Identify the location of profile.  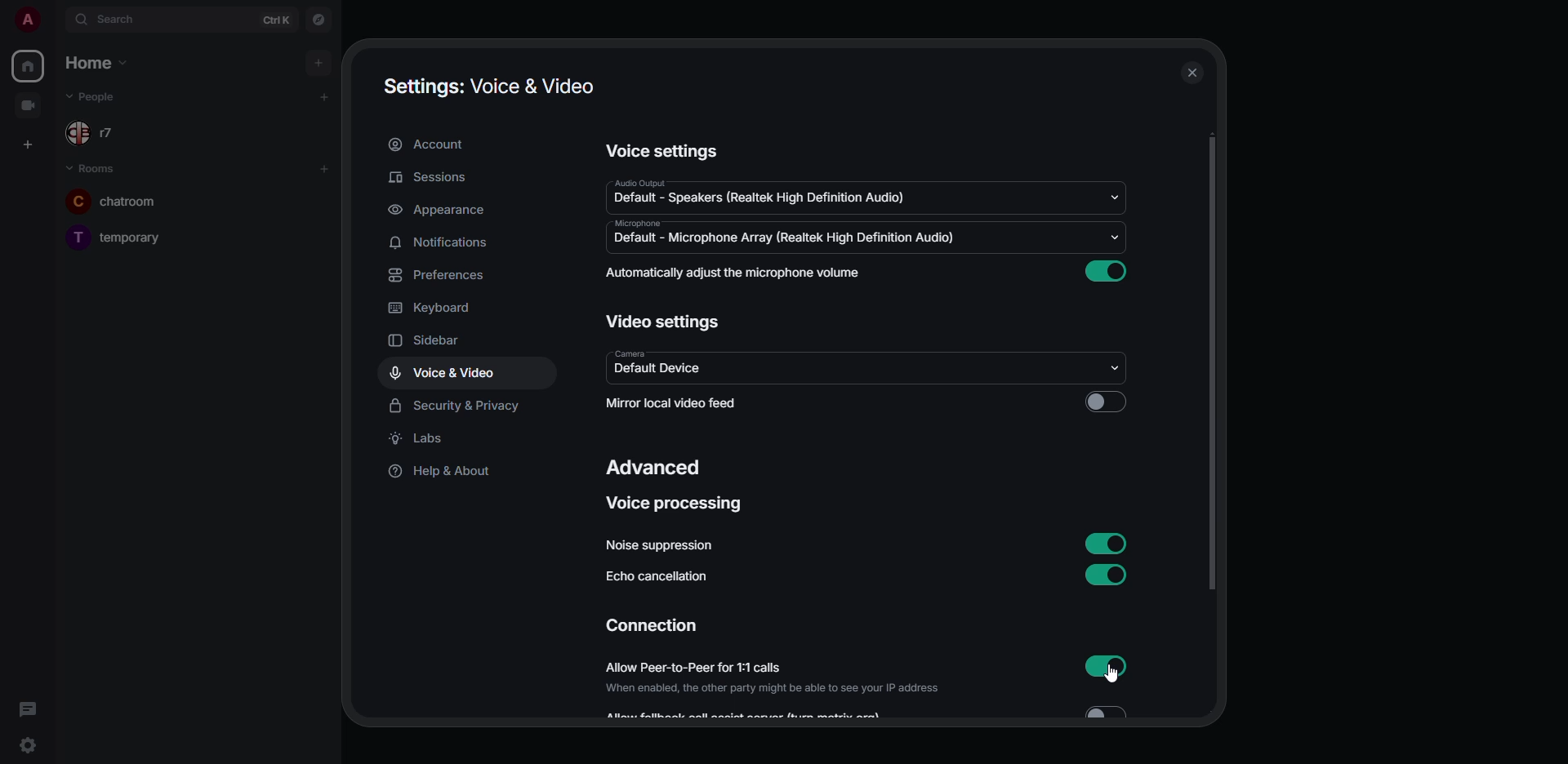
(28, 19).